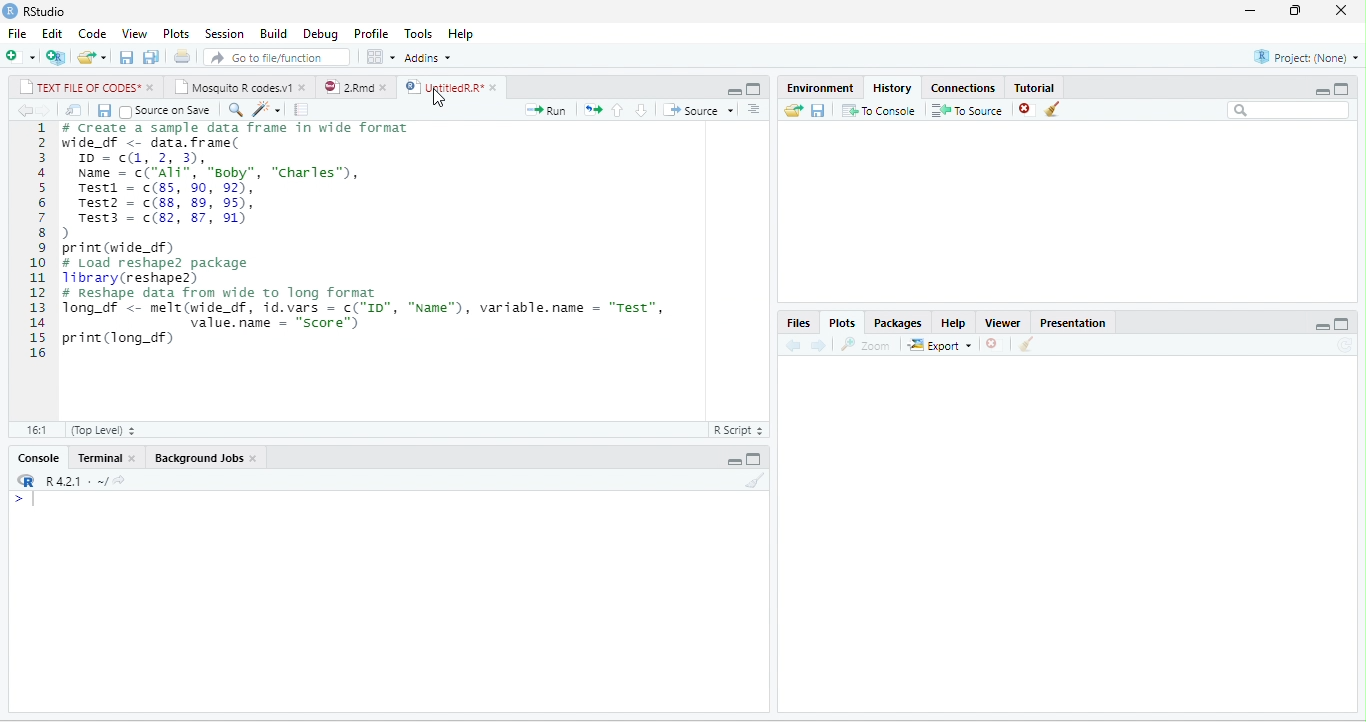  Describe the element at coordinates (225, 34) in the screenshot. I see `Session` at that location.